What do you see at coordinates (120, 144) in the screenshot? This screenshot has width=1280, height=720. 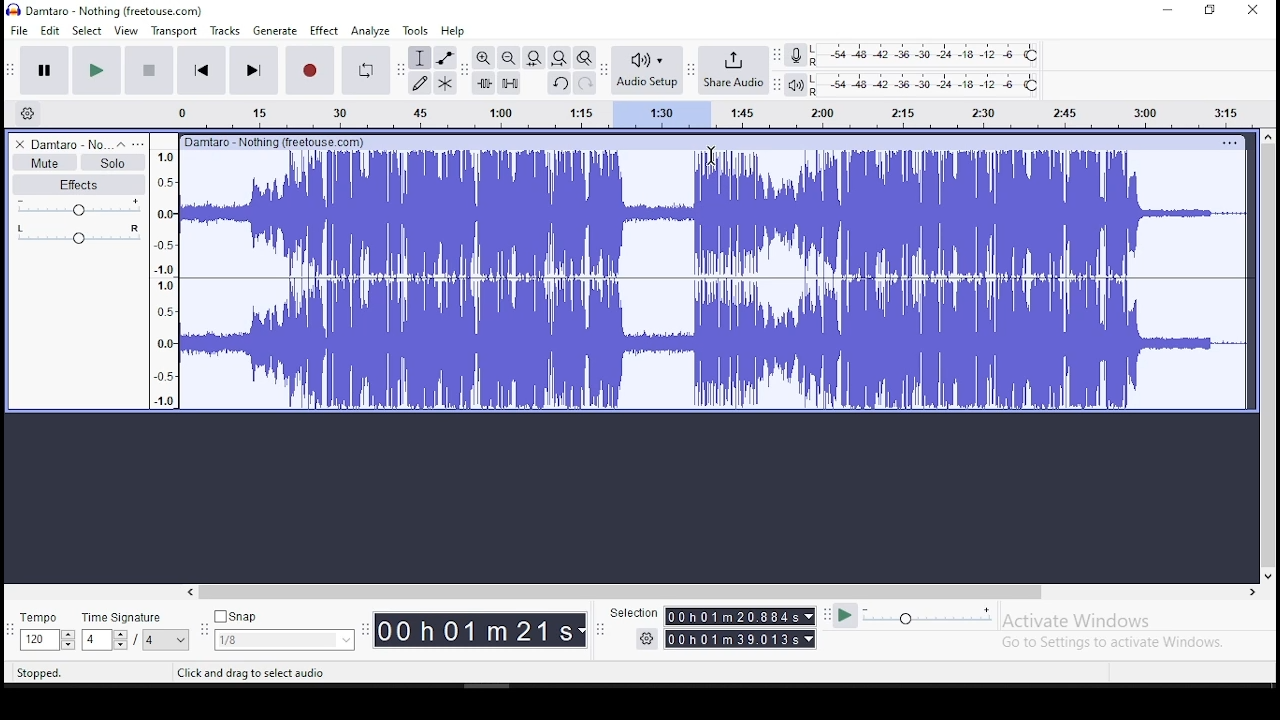 I see `collapse` at bounding box center [120, 144].